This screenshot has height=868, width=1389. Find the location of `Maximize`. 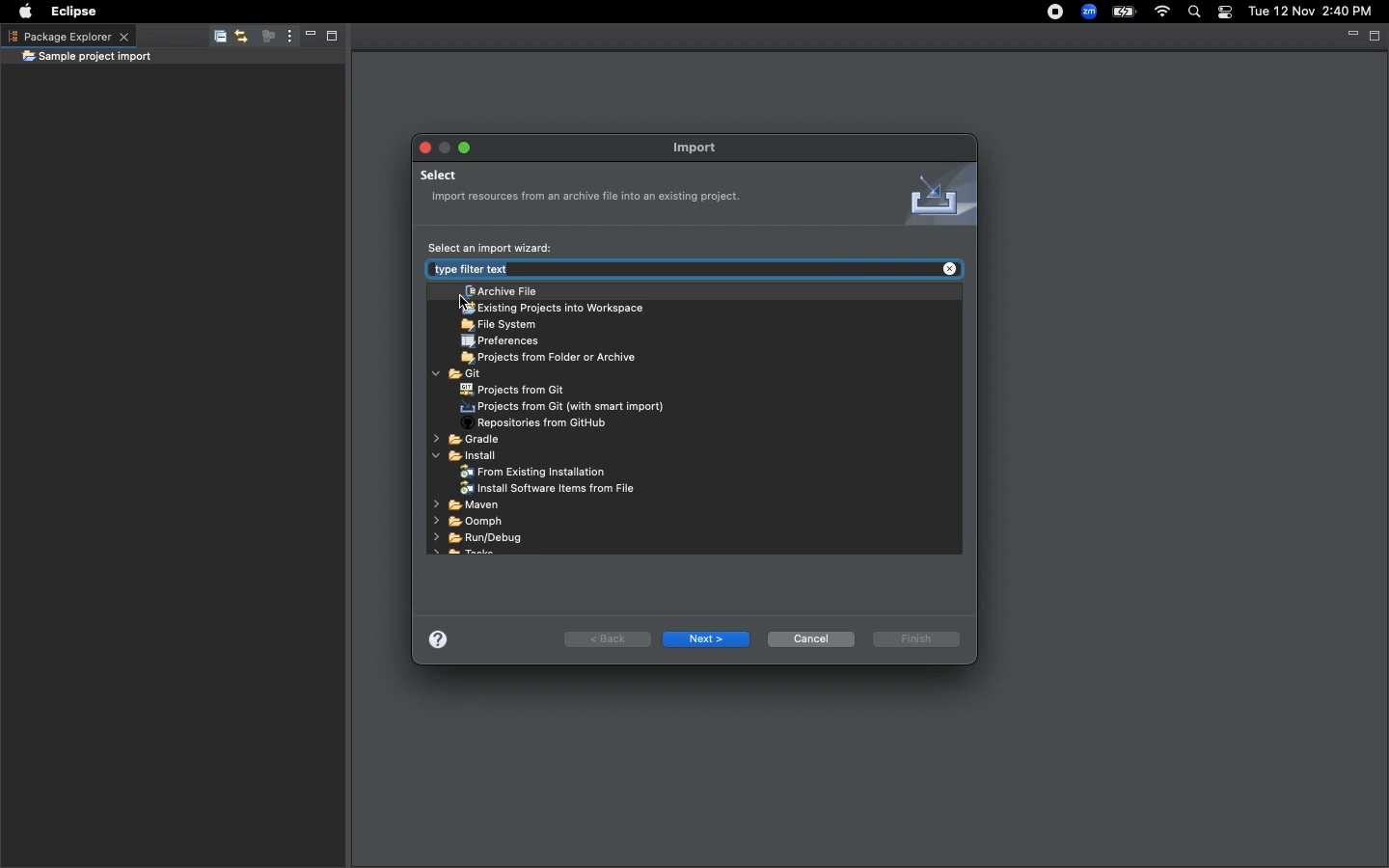

Maximize is located at coordinates (1375, 36).